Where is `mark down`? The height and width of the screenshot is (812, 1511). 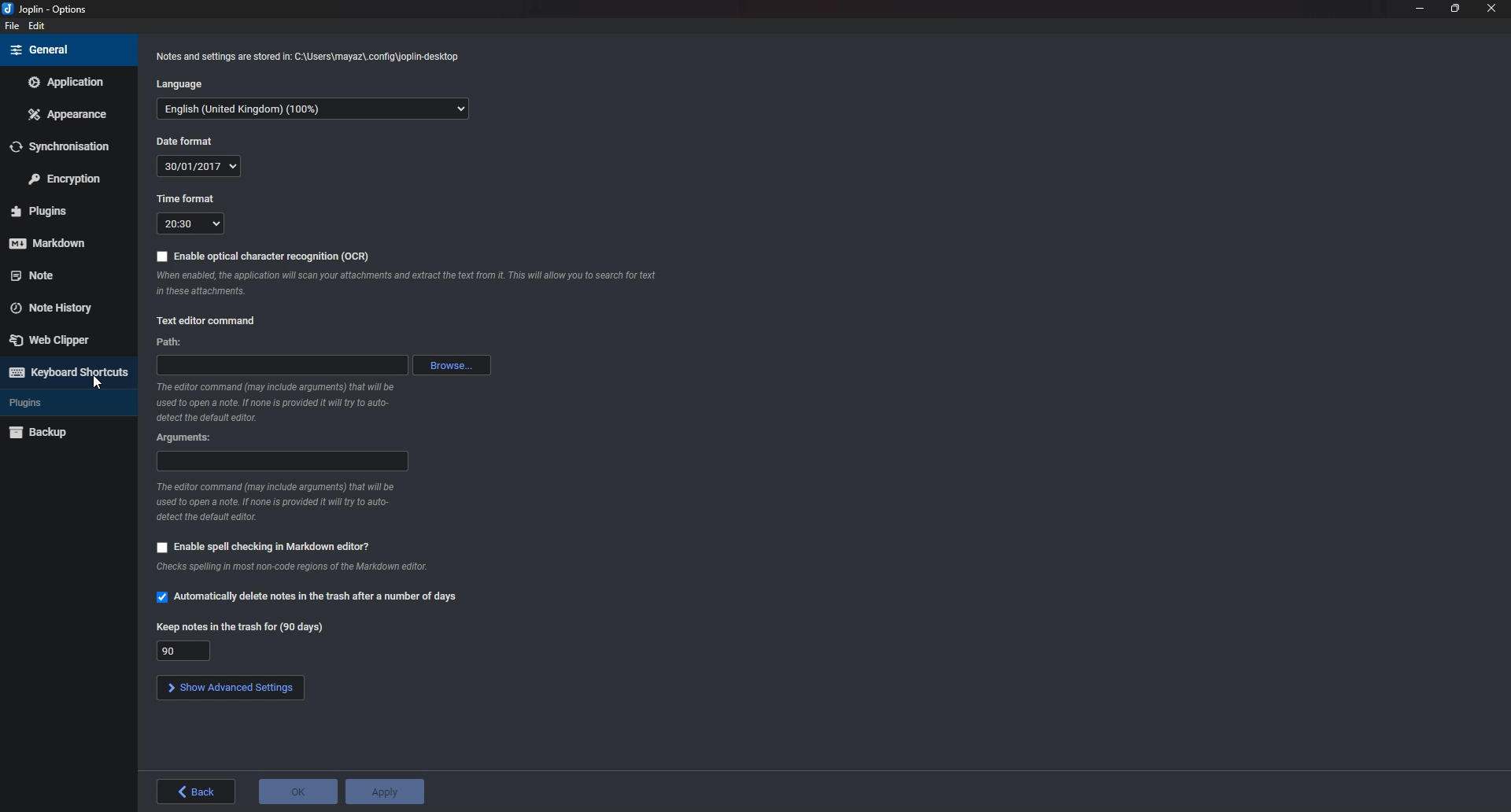
mark down is located at coordinates (61, 242).